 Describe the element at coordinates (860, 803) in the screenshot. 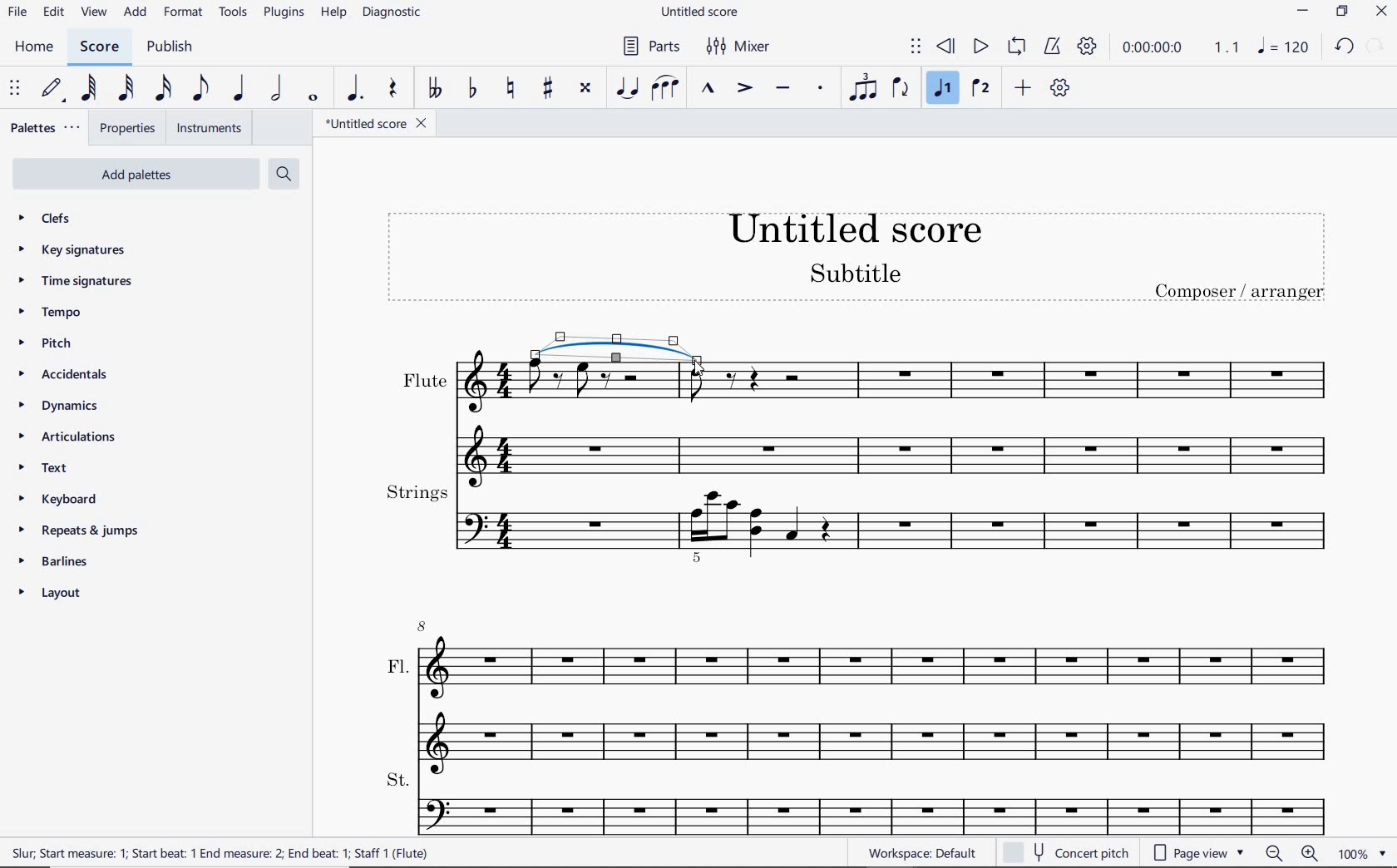

I see `St.` at that location.